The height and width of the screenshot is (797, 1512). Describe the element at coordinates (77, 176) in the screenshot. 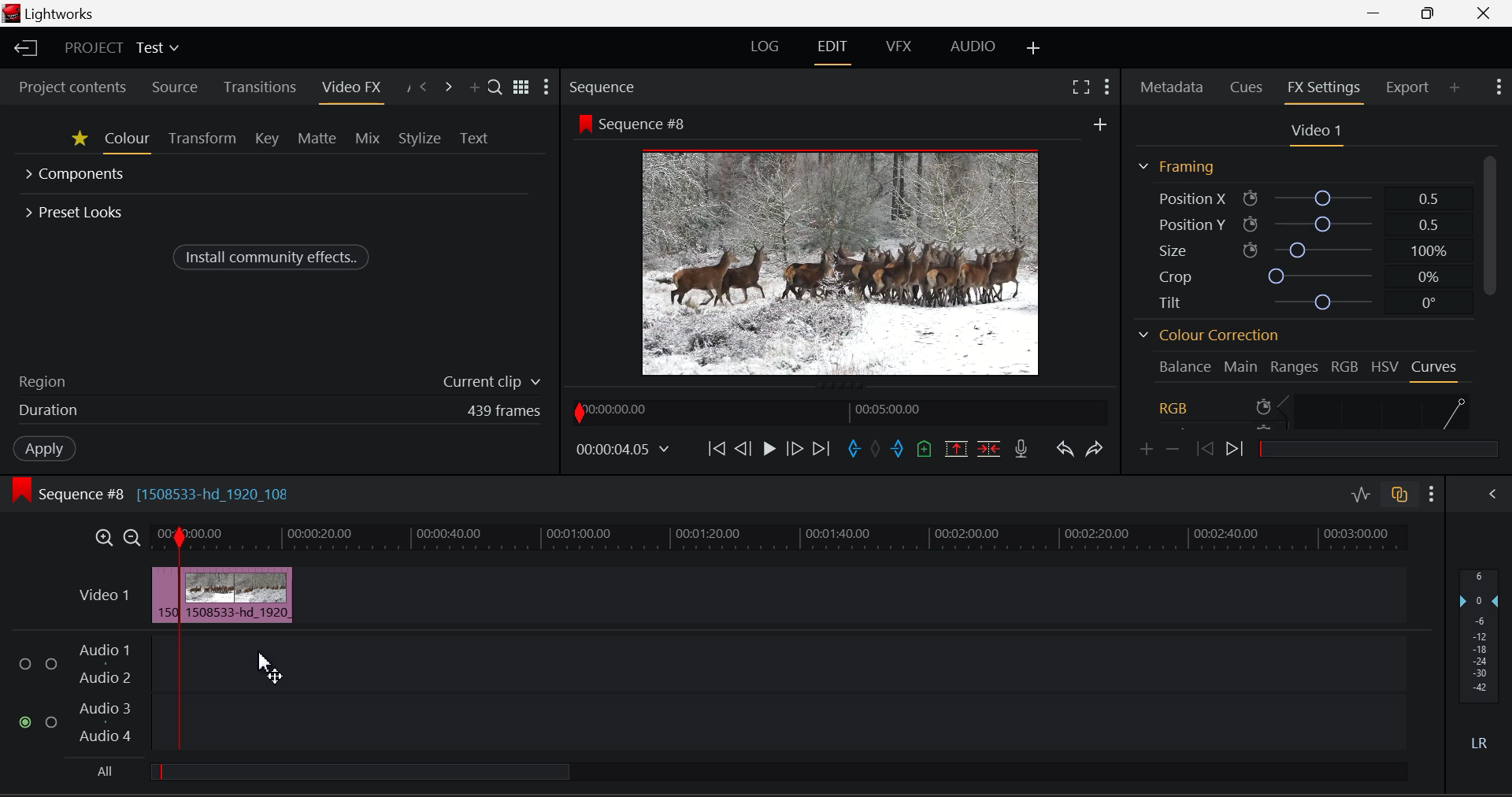

I see `Components Section` at that location.